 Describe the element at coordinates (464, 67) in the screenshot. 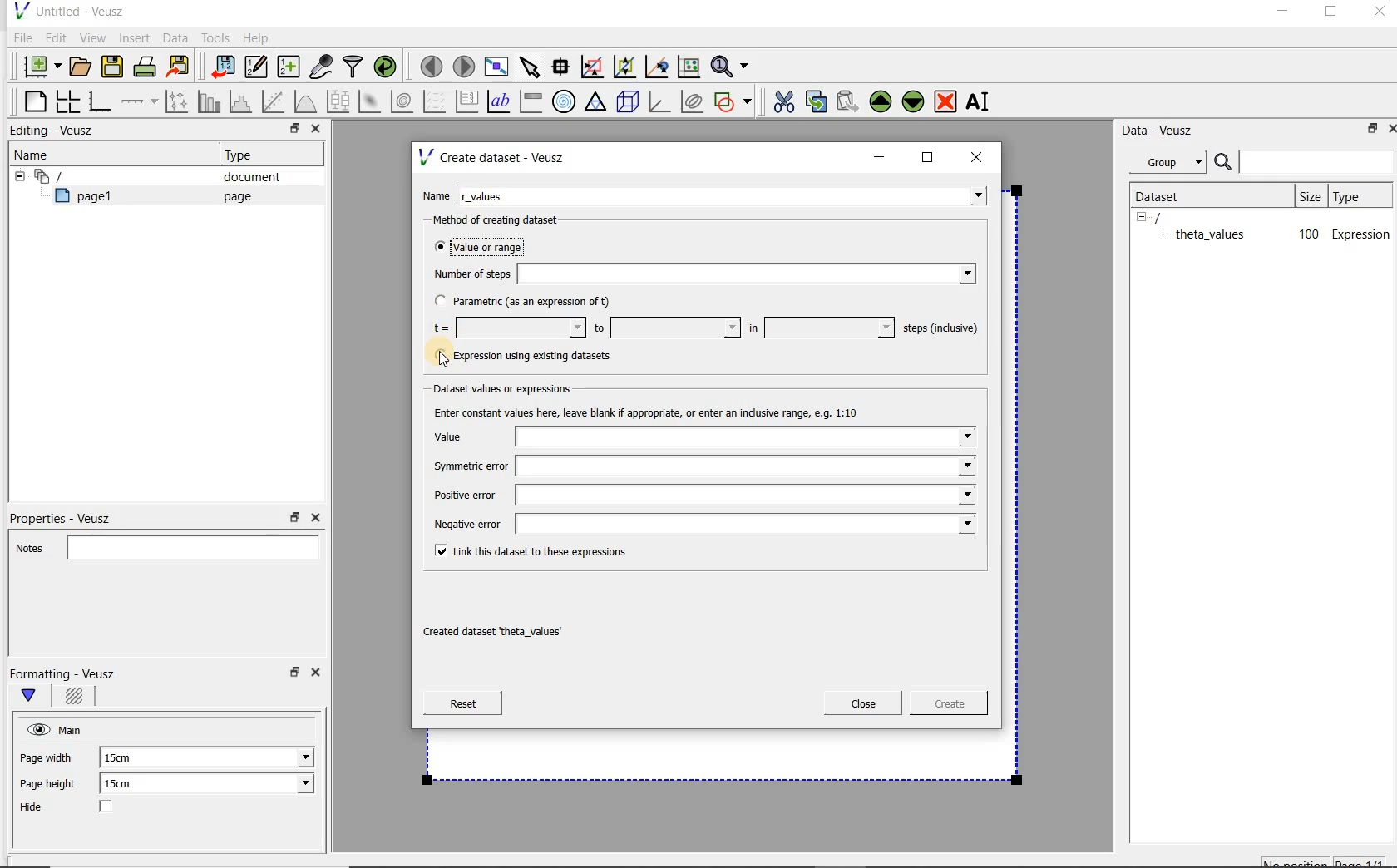

I see `move to the next page` at that location.